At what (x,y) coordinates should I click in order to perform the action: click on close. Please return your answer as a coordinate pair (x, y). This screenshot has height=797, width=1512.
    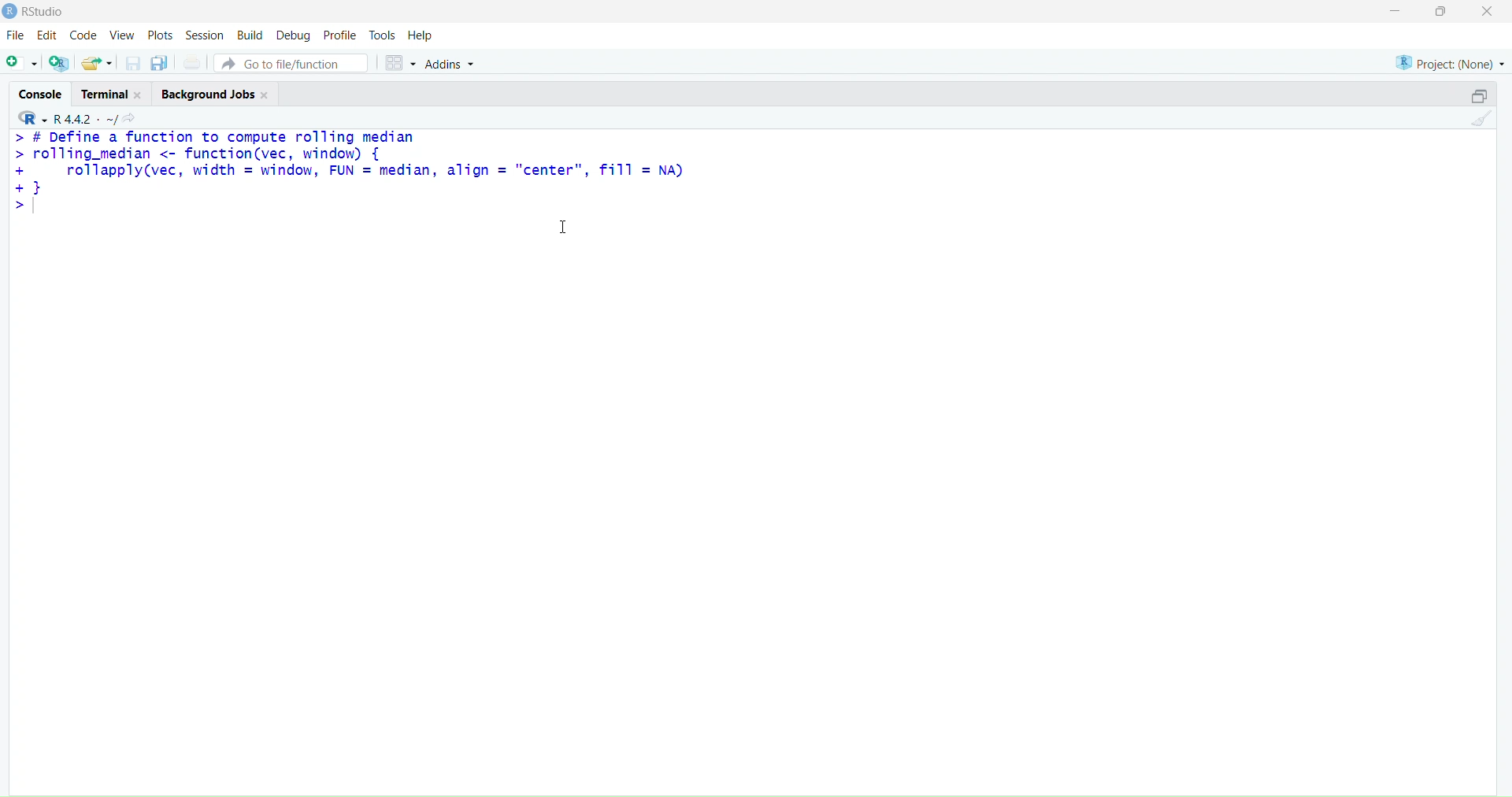
    Looking at the image, I should click on (137, 95).